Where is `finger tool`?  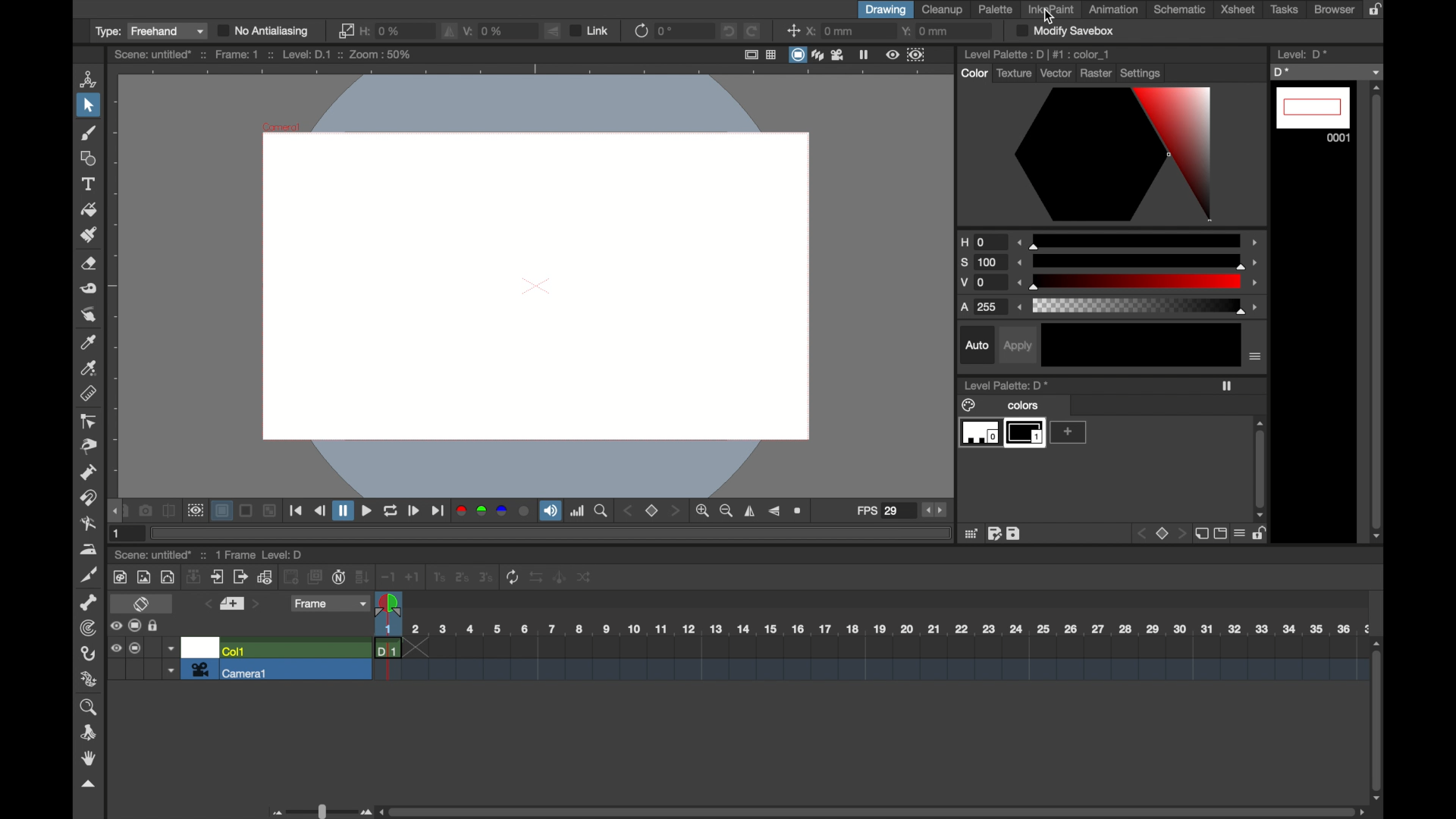 finger tool is located at coordinates (87, 314).